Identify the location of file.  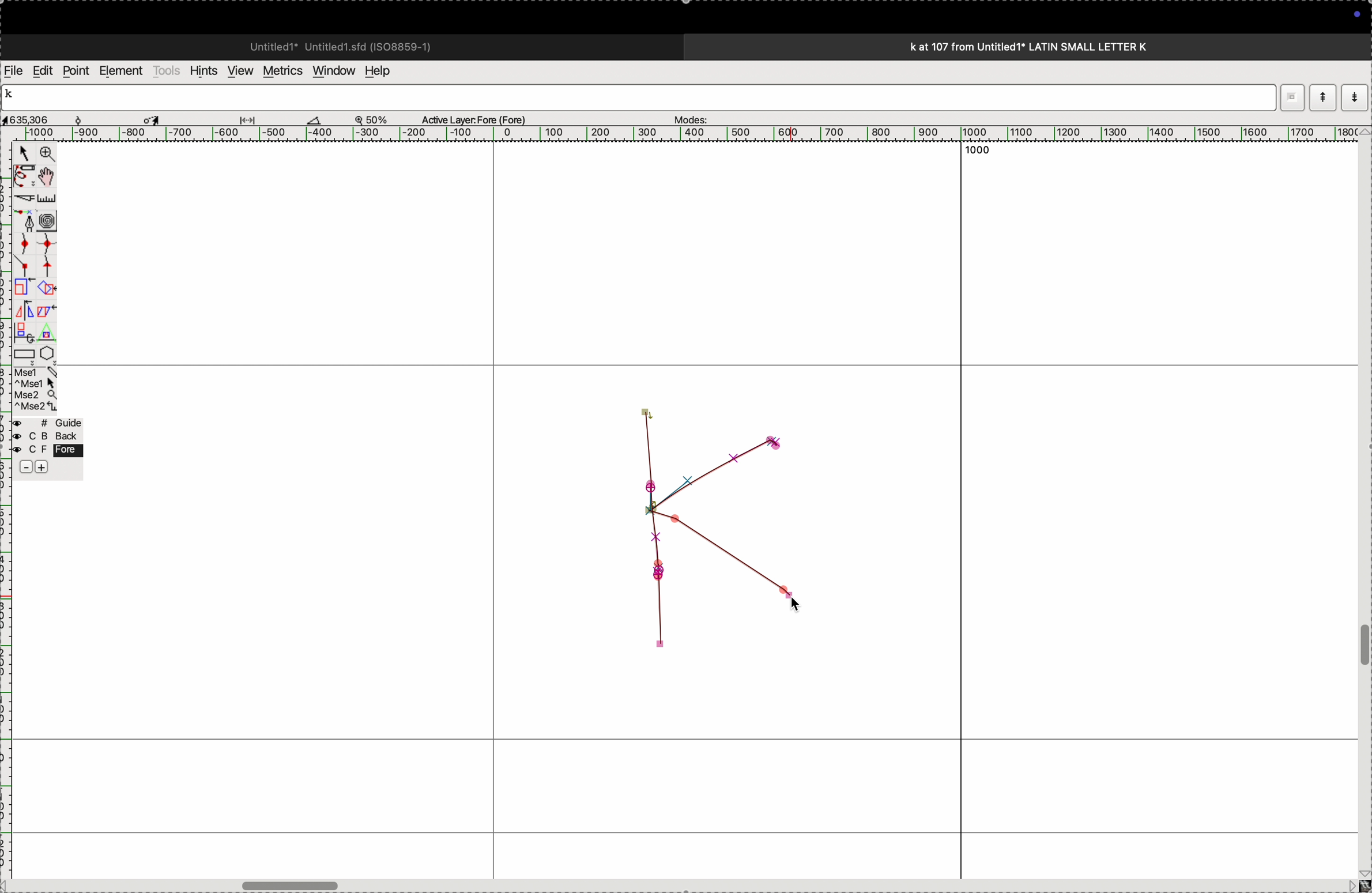
(14, 71).